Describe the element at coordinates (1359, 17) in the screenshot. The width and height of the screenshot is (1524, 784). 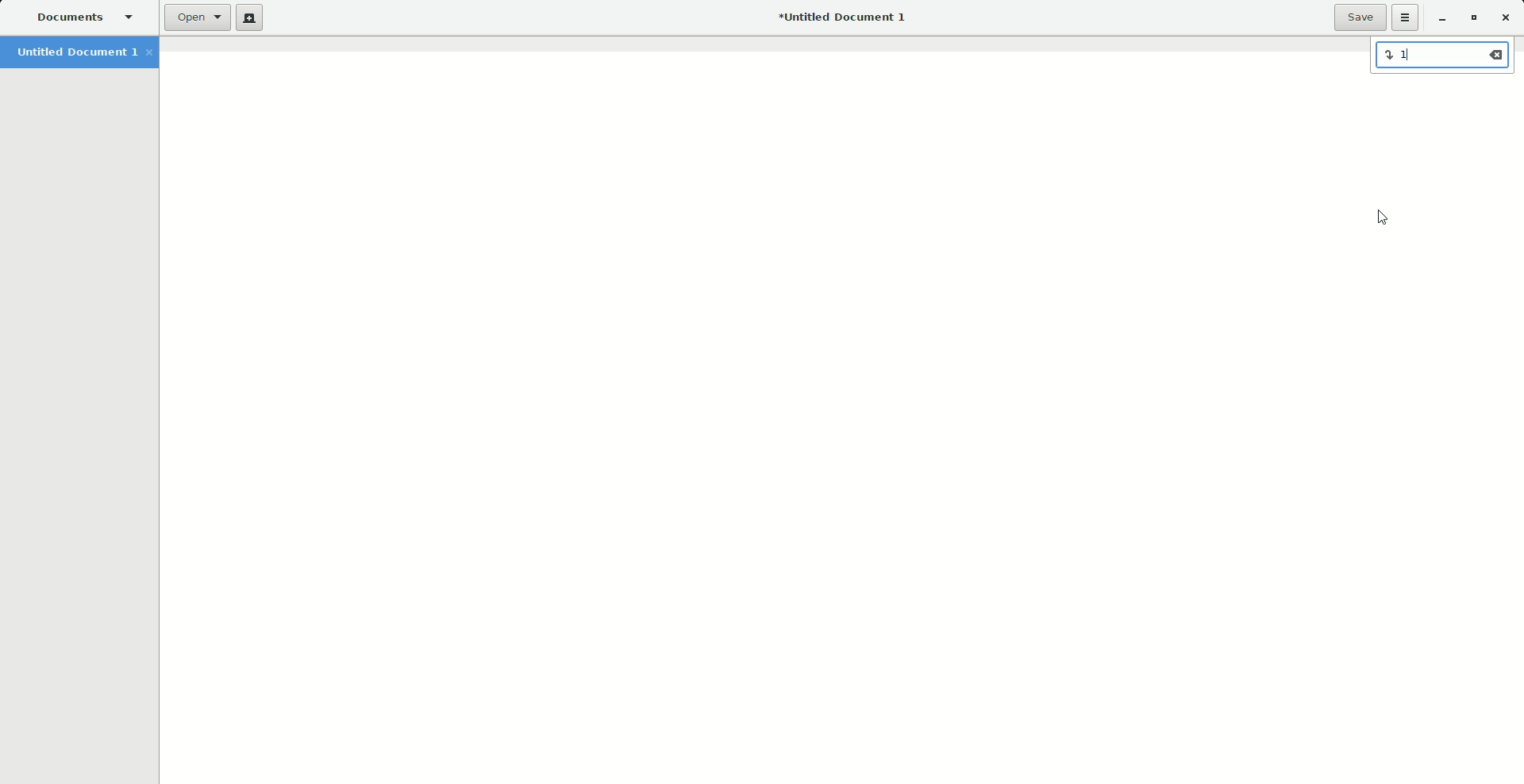
I see `Save` at that location.